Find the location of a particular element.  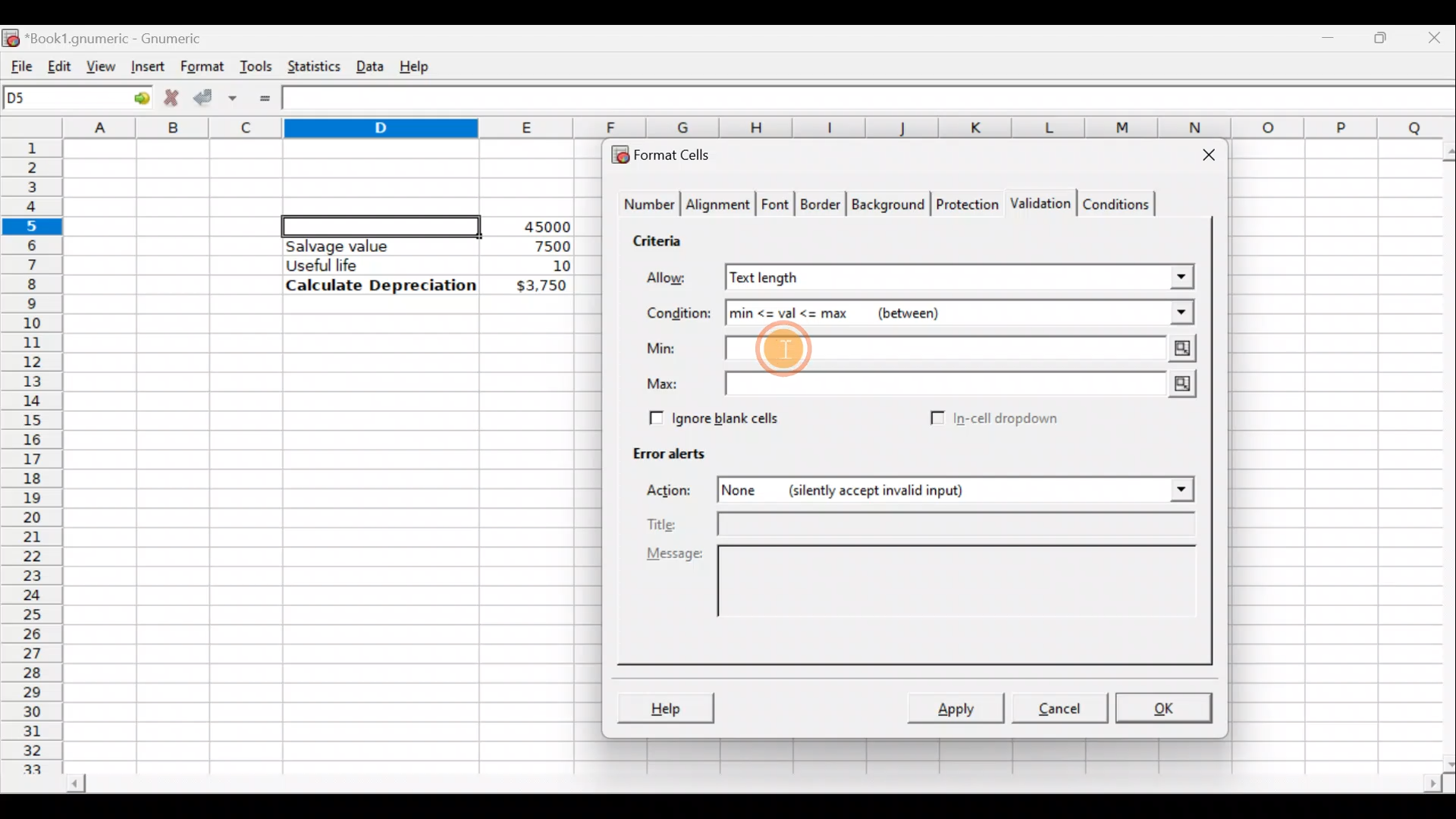

Help is located at coordinates (417, 65).